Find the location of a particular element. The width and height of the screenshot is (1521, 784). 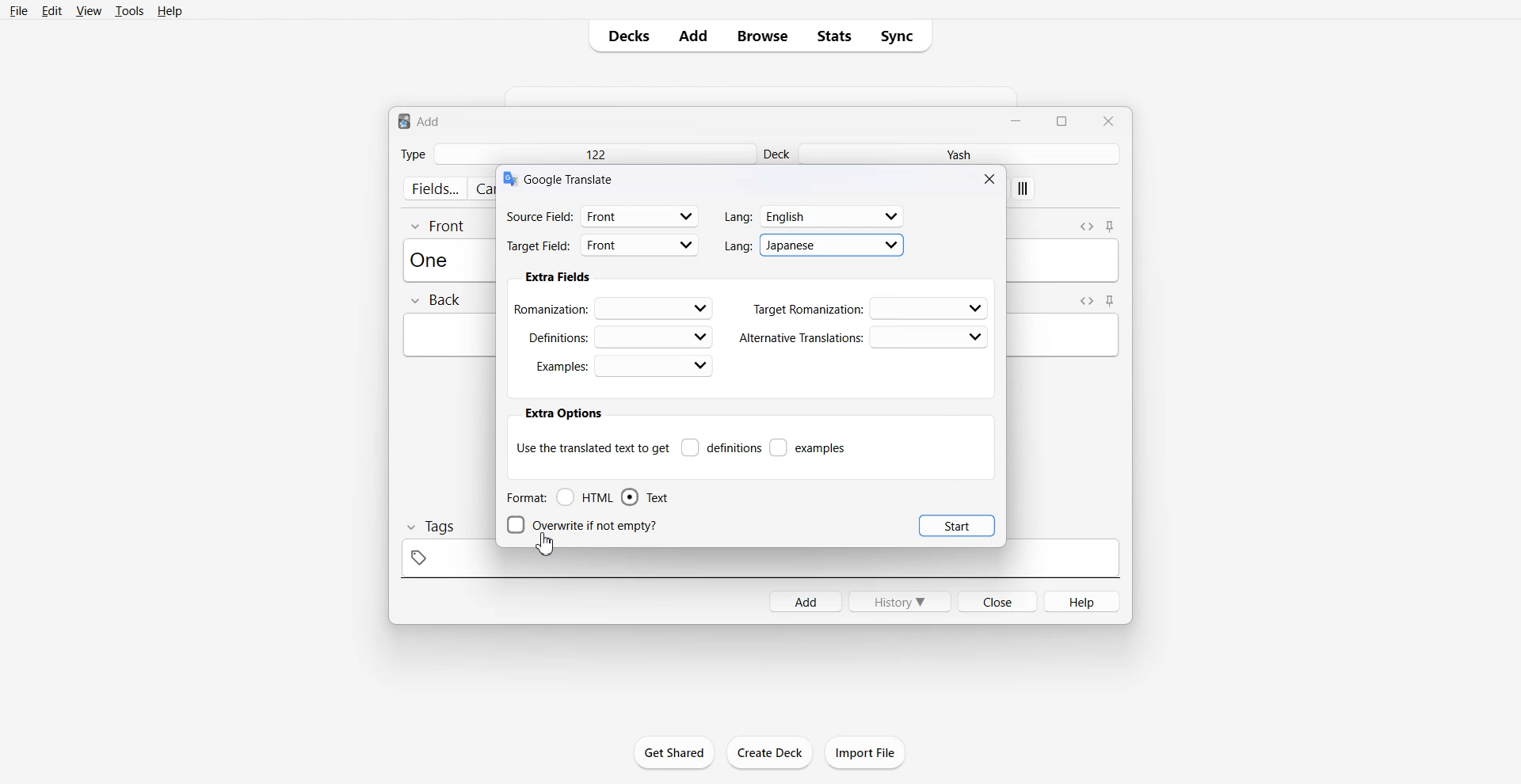

tag space is located at coordinates (760, 563).